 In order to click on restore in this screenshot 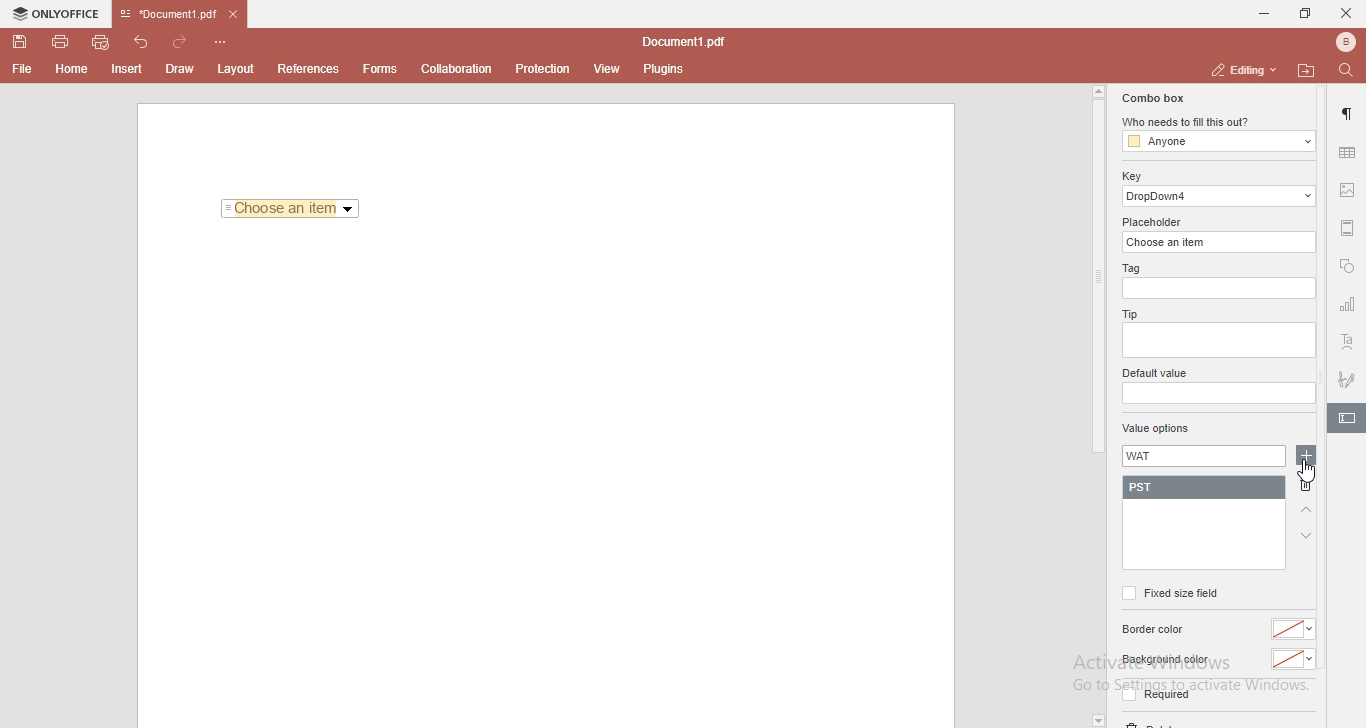, I will do `click(1304, 14)`.